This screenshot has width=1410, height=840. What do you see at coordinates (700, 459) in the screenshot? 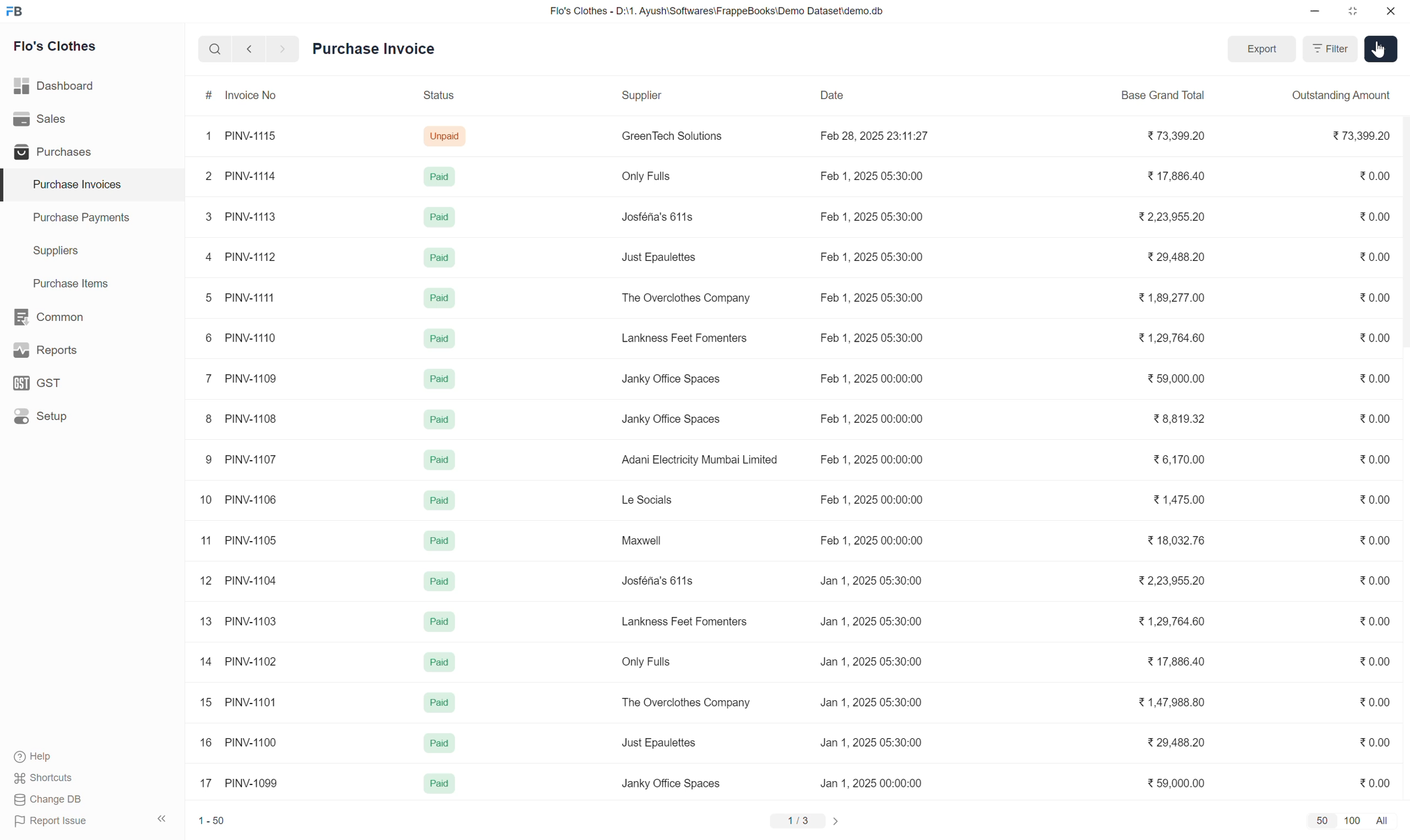
I see `Adani Electricity Mumbai Limited` at bounding box center [700, 459].